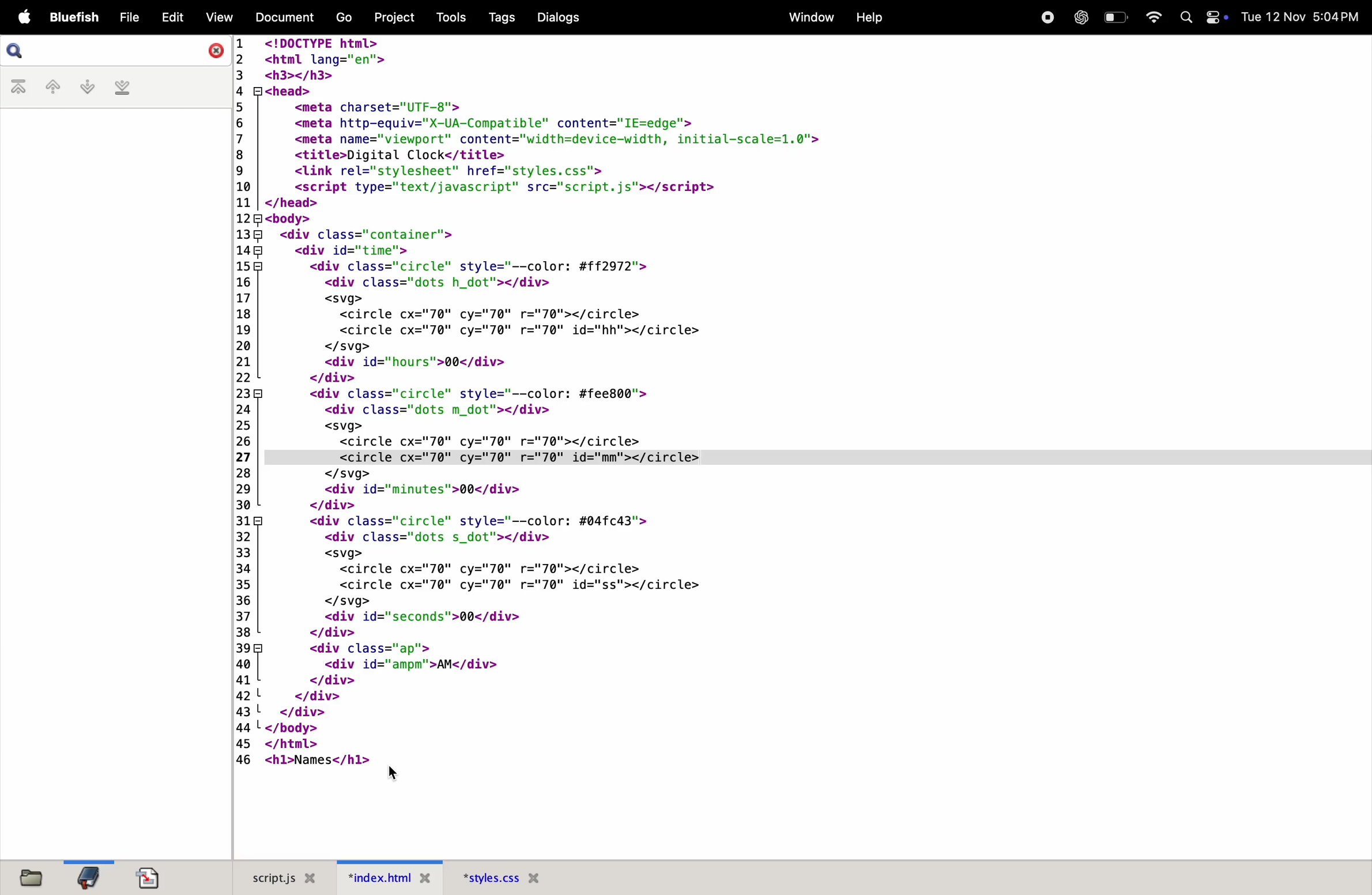  What do you see at coordinates (151, 876) in the screenshot?
I see `document` at bounding box center [151, 876].